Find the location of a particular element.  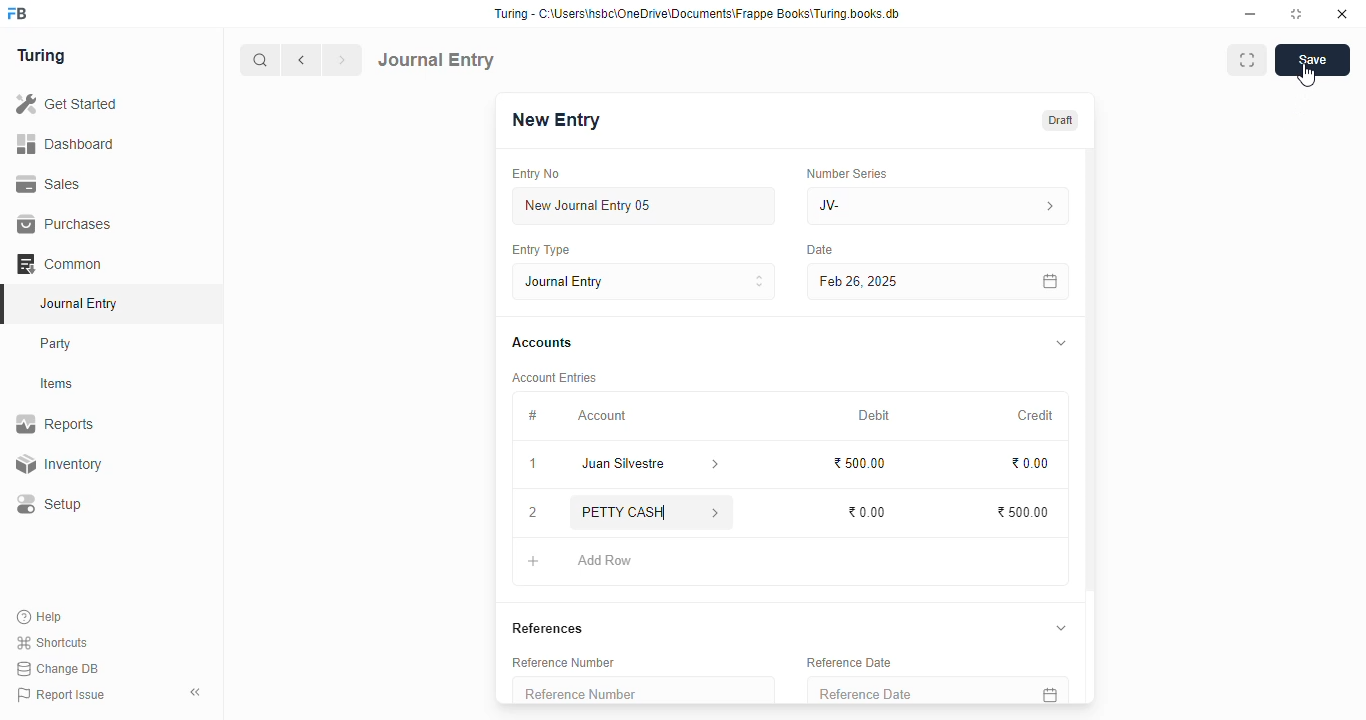

toggle maximize is located at coordinates (1296, 14).